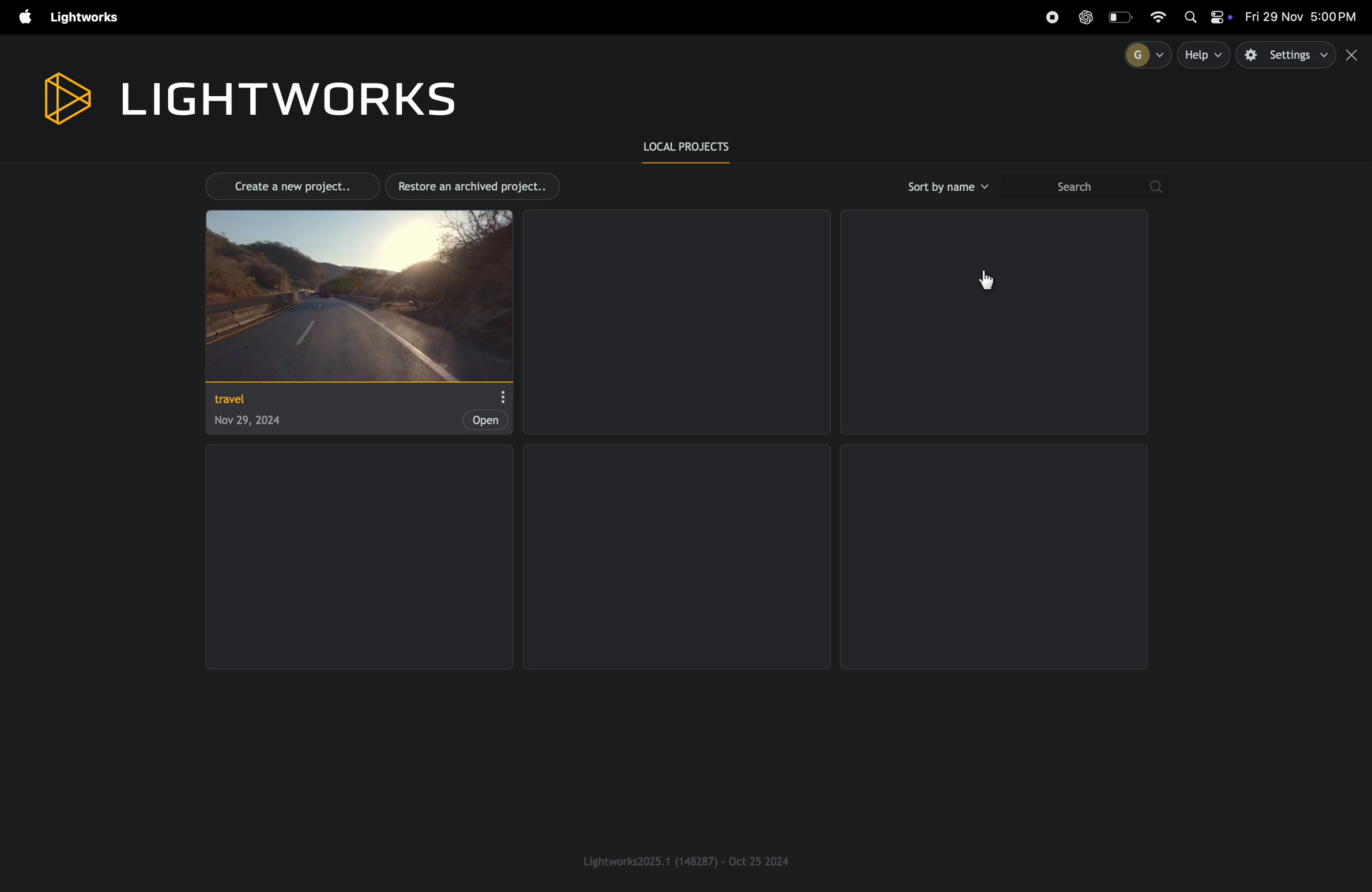 This screenshot has height=892, width=1372. What do you see at coordinates (688, 860) in the screenshot?
I see `light works version` at bounding box center [688, 860].